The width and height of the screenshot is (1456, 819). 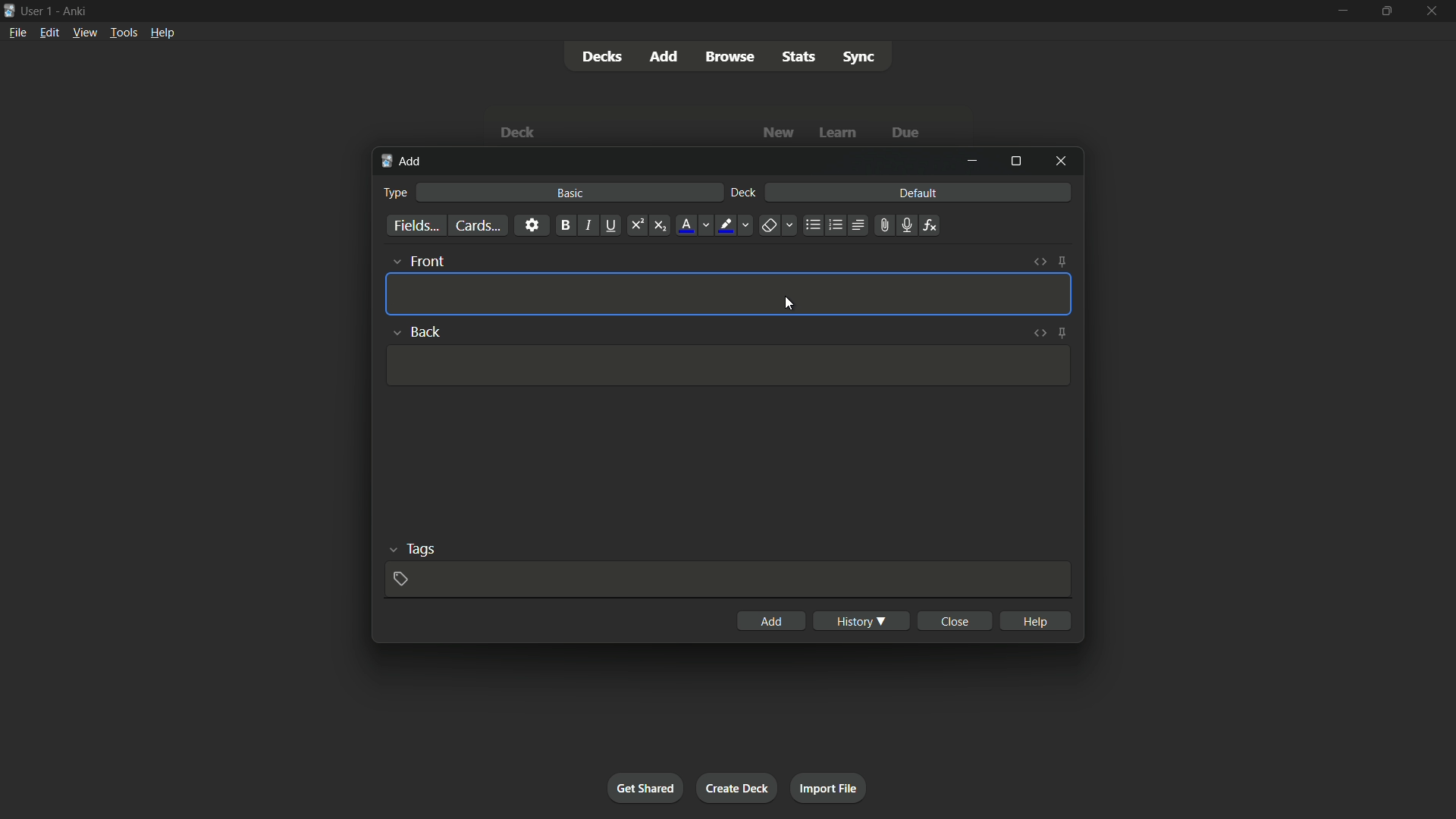 I want to click on add tag, so click(x=400, y=579).